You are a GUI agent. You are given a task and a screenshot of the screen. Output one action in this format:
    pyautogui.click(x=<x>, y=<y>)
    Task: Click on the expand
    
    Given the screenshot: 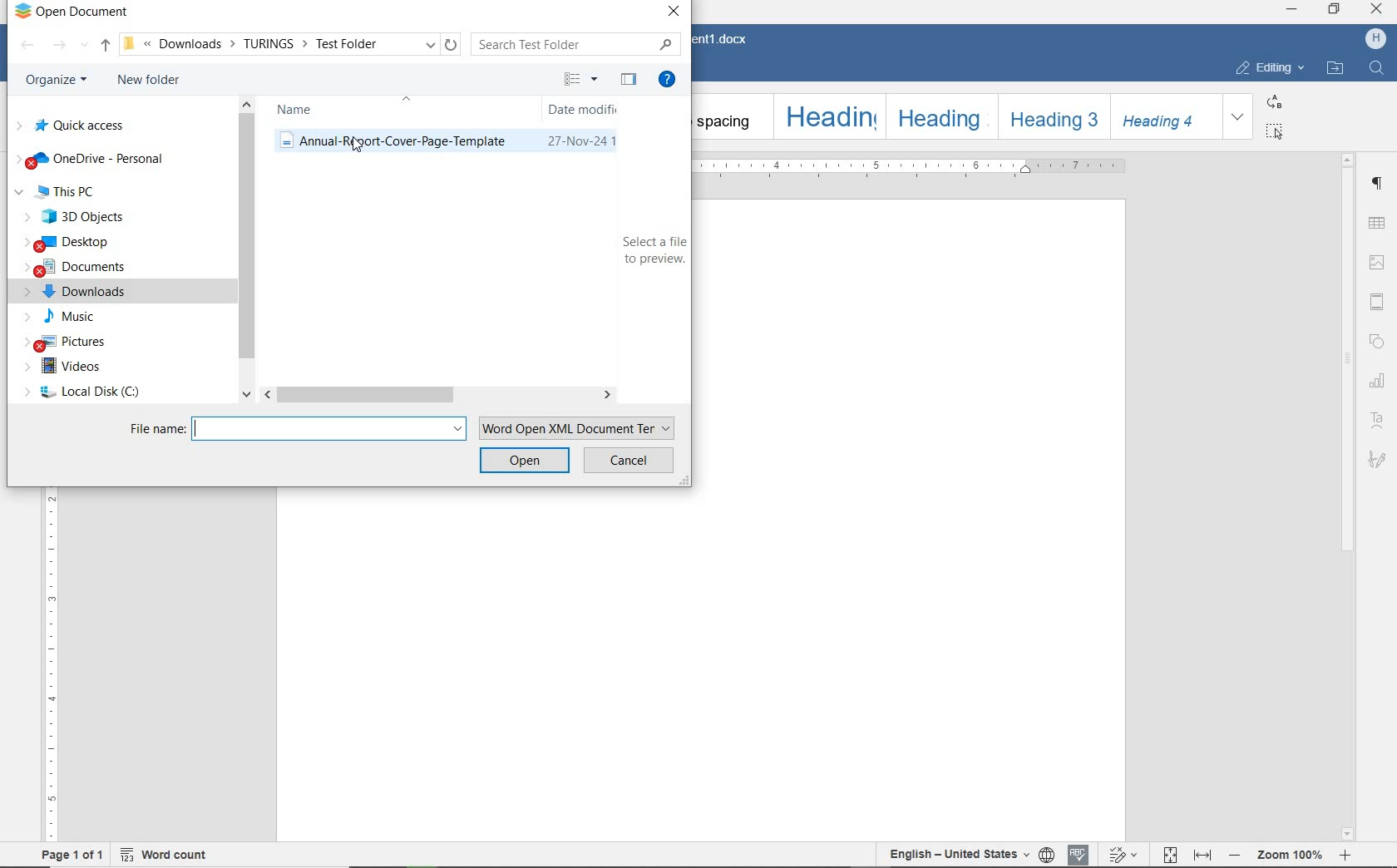 What is the action you would take?
    pyautogui.click(x=1238, y=116)
    